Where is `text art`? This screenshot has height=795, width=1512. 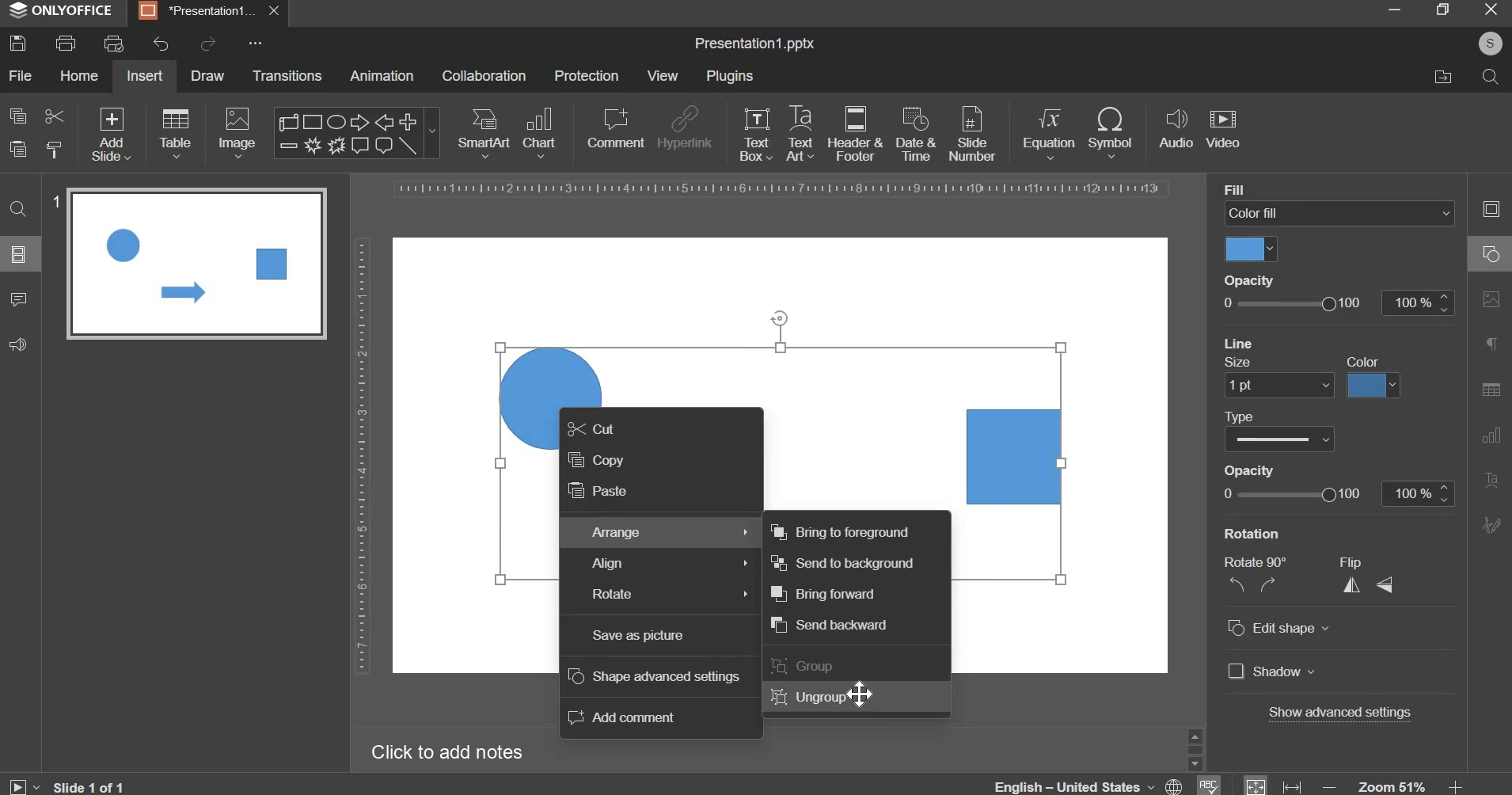 text art is located at coordinates (800, 133).